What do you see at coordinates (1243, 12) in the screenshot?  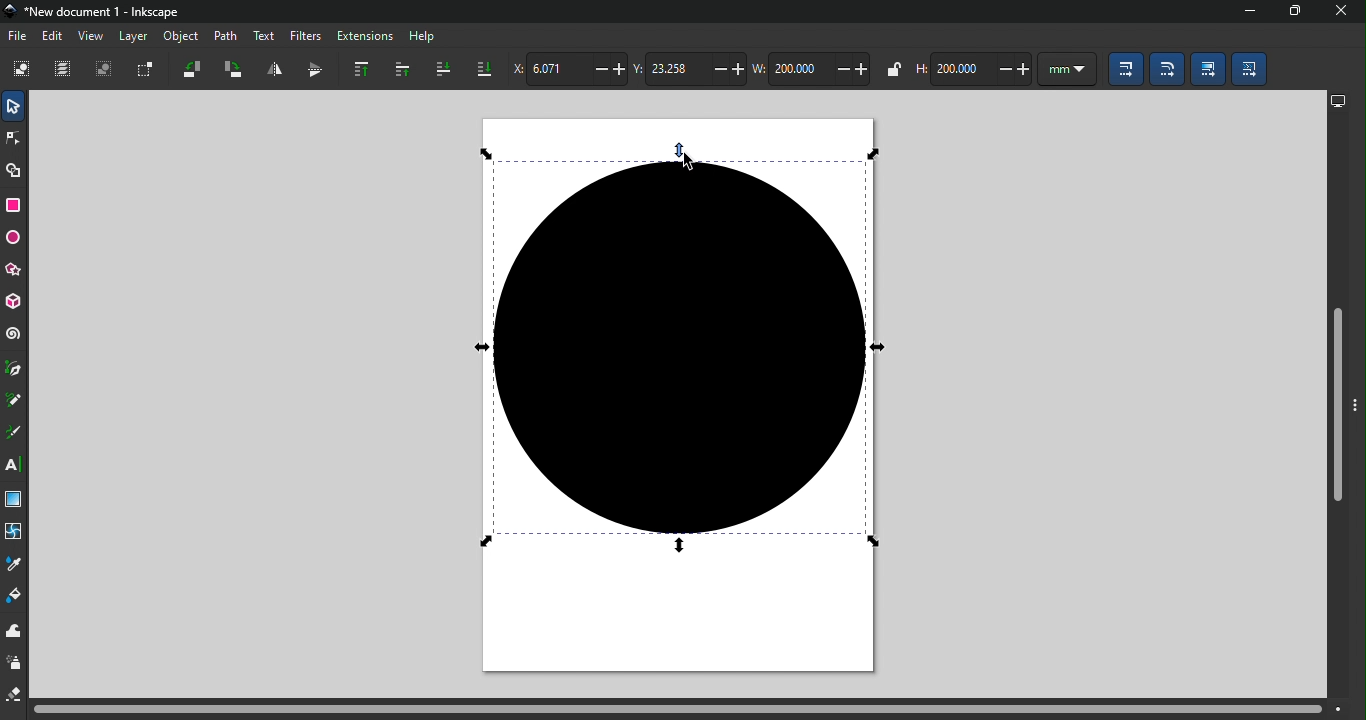 I see `Minimize` at bounding box center [1243, 12].